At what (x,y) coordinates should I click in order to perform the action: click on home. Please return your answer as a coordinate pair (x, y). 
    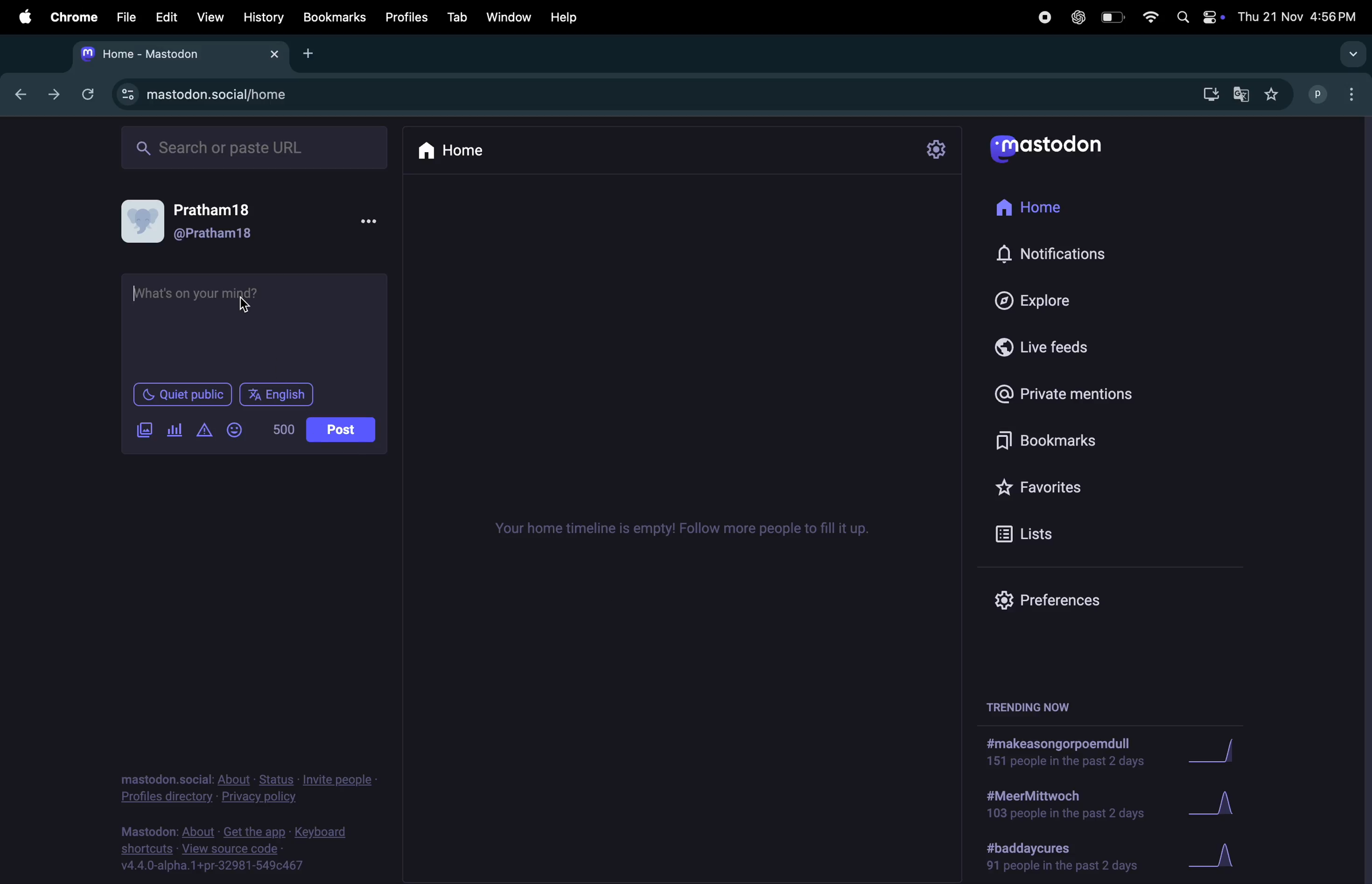
    Looking at the image, I should click on (1052, 203).